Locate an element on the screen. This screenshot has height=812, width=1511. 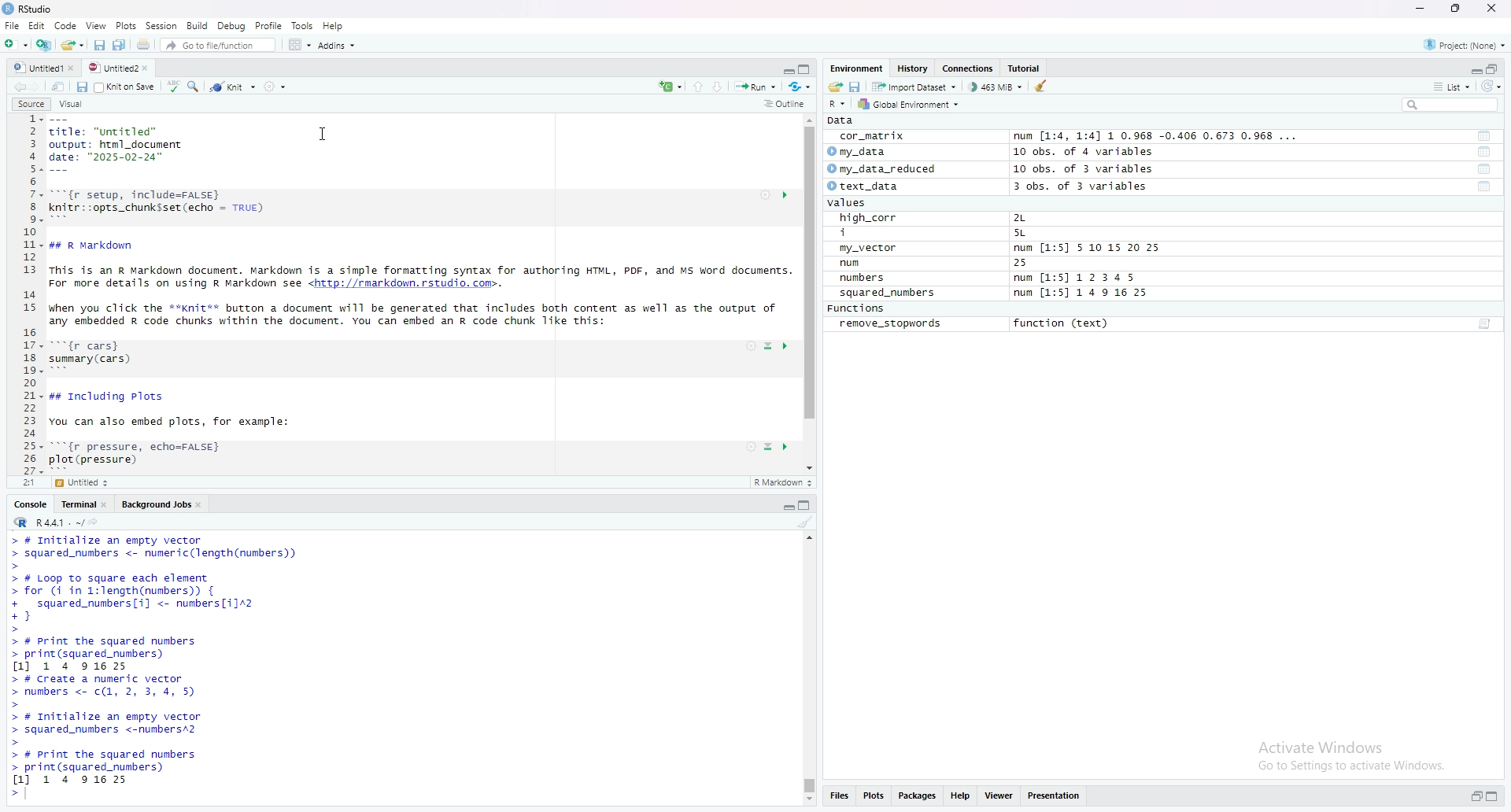
Plots is located at coordinates (875, 796).